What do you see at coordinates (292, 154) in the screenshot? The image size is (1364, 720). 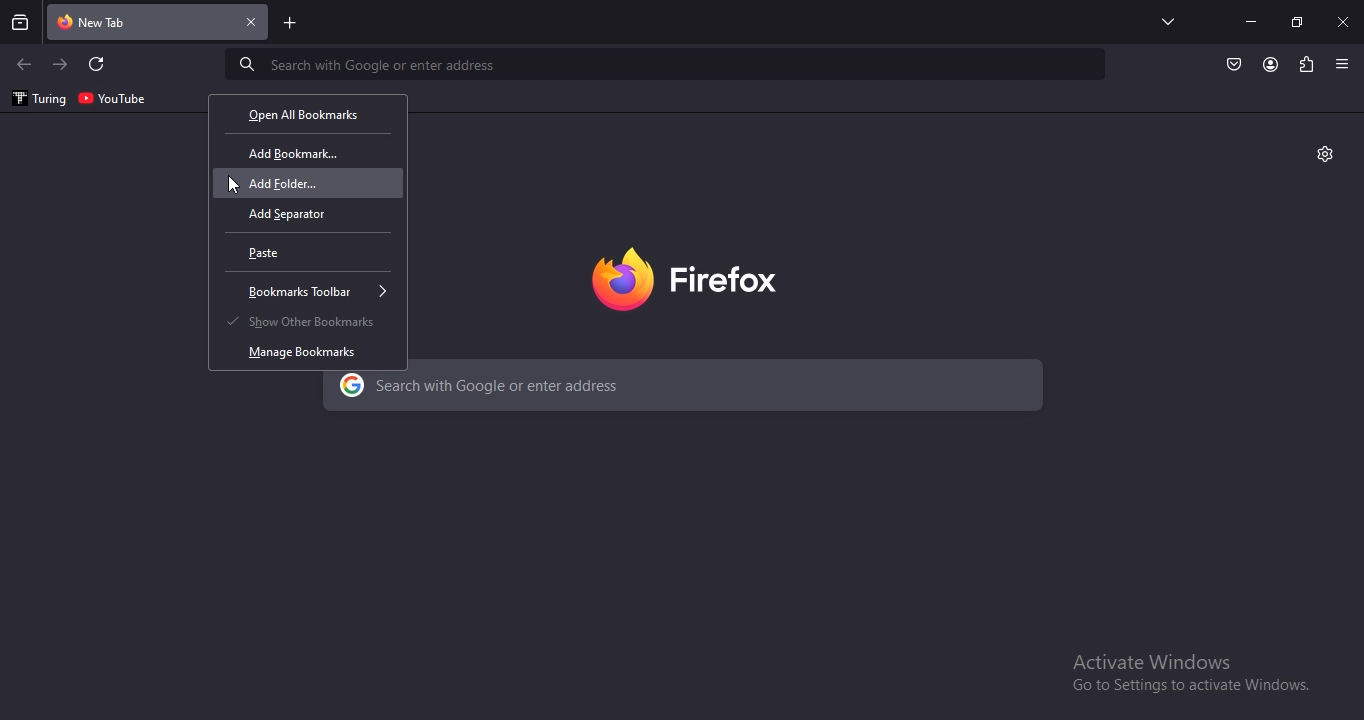 I see `add bookmark` at bounding box center [292, 154].